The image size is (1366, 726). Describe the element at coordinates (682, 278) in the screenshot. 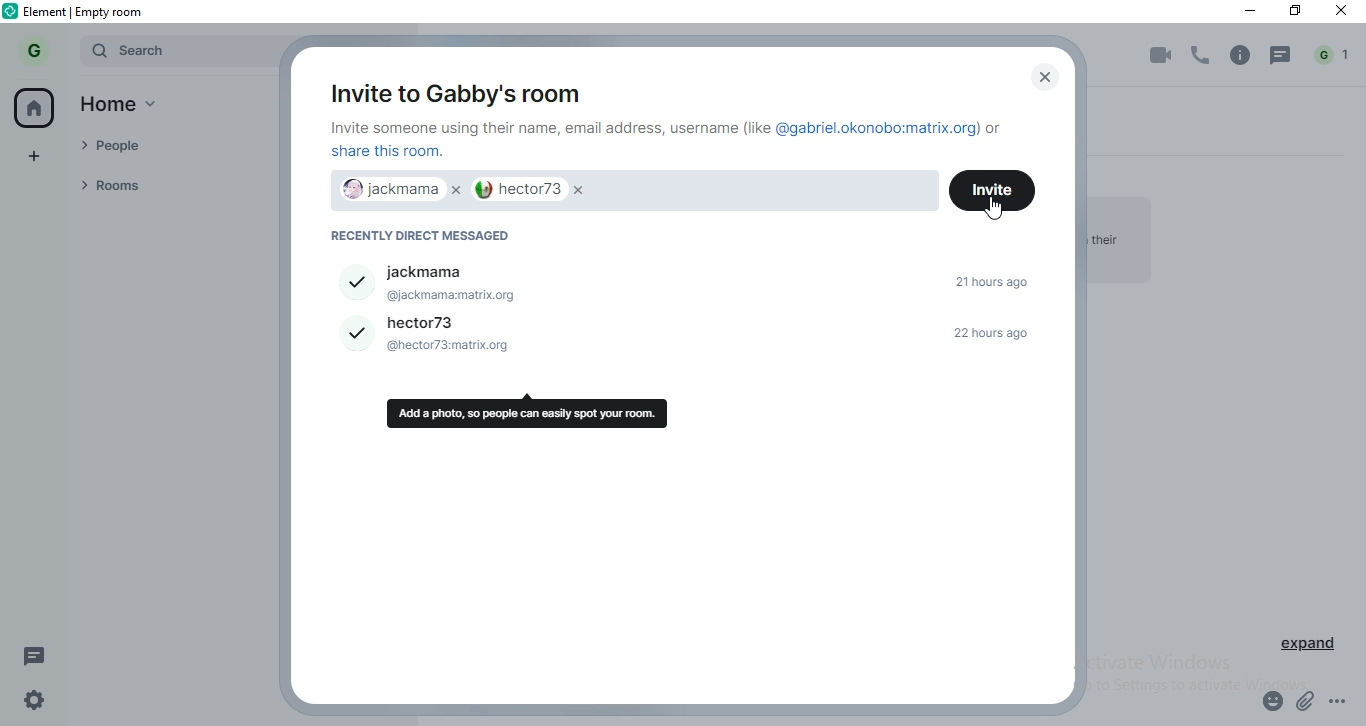

I see `jackmama` at that location.